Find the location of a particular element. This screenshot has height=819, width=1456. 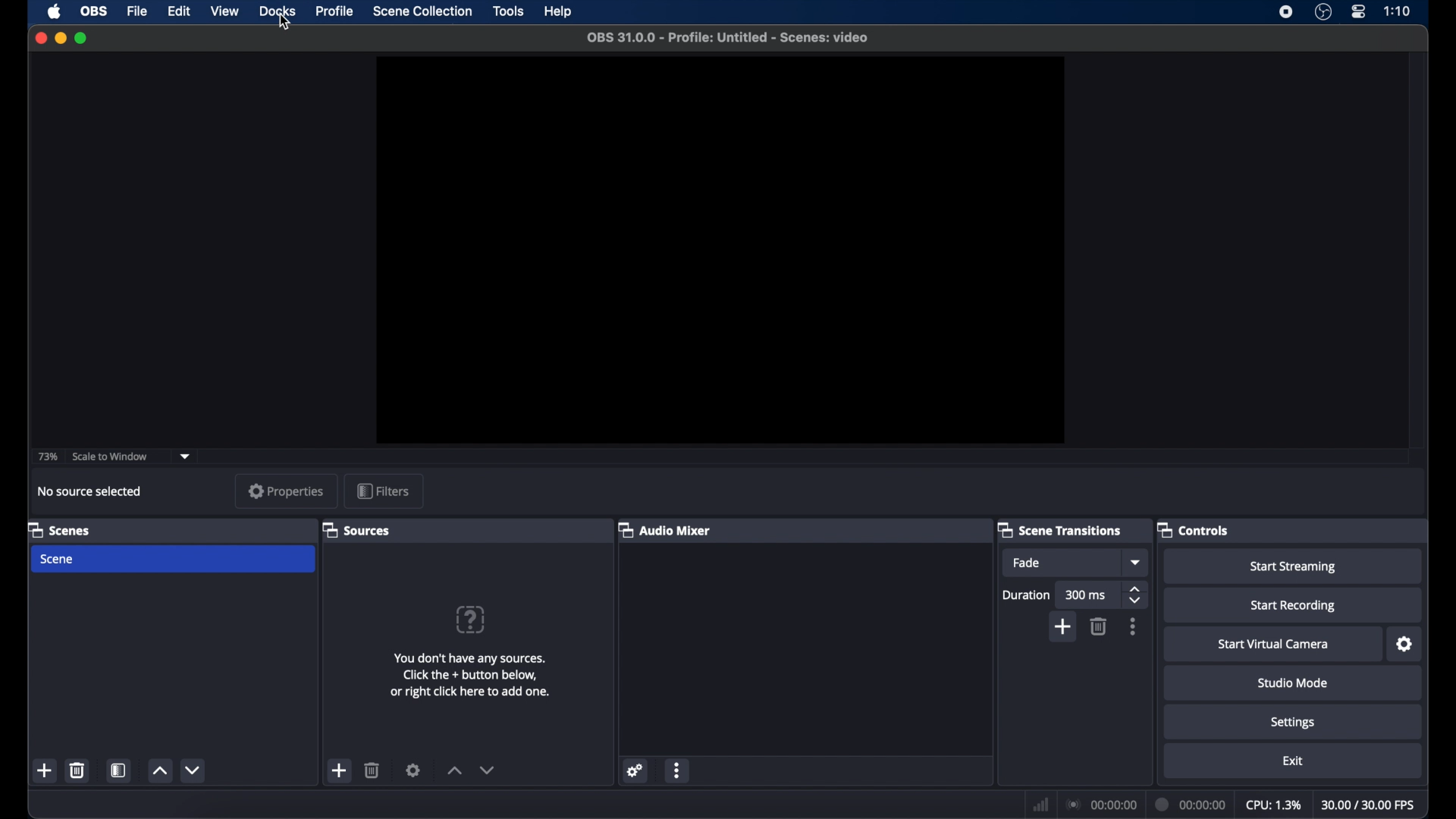

netwrok is located at coordinates (1040, 805).